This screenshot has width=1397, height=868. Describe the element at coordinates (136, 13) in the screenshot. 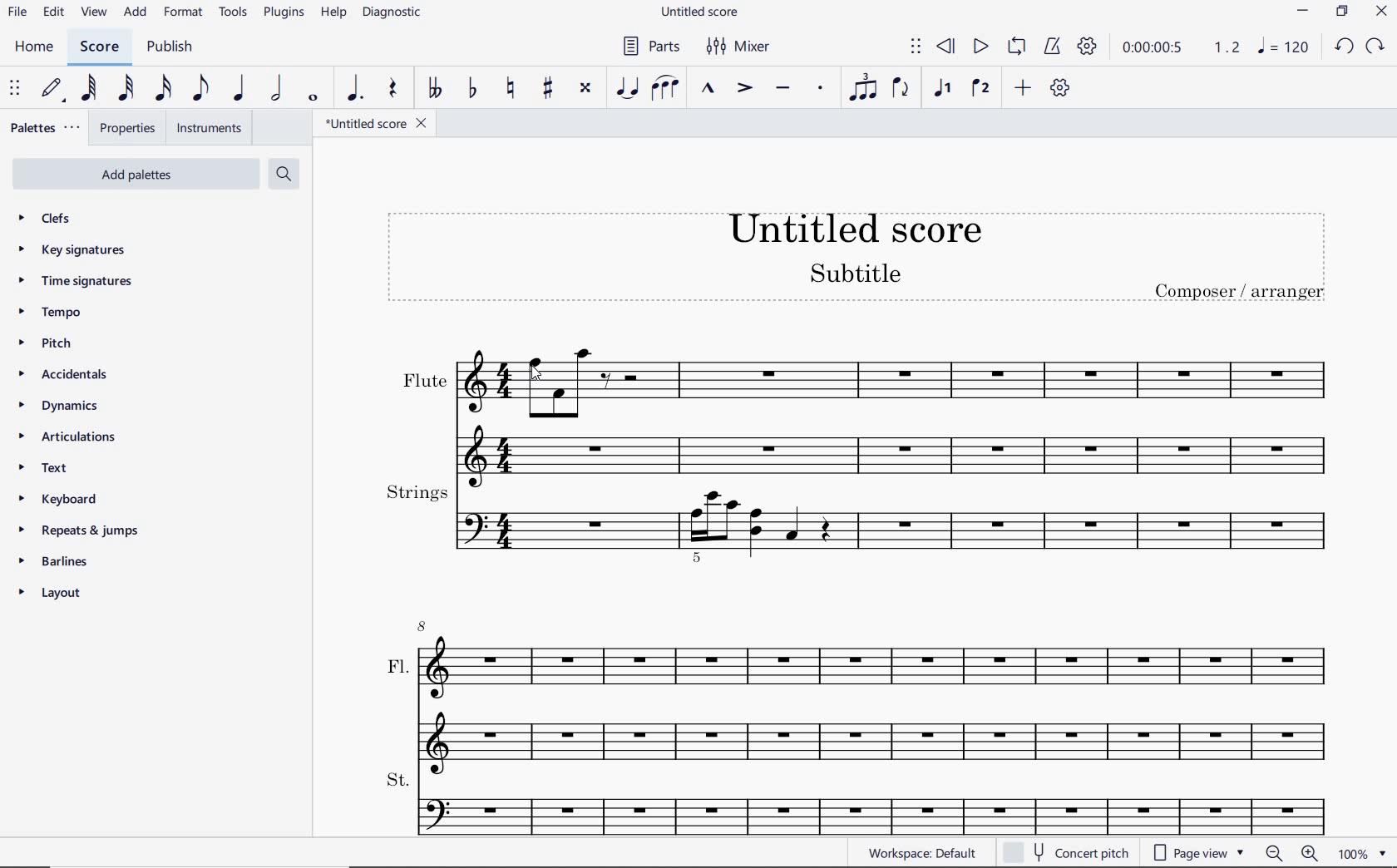

I see `add` at that location.